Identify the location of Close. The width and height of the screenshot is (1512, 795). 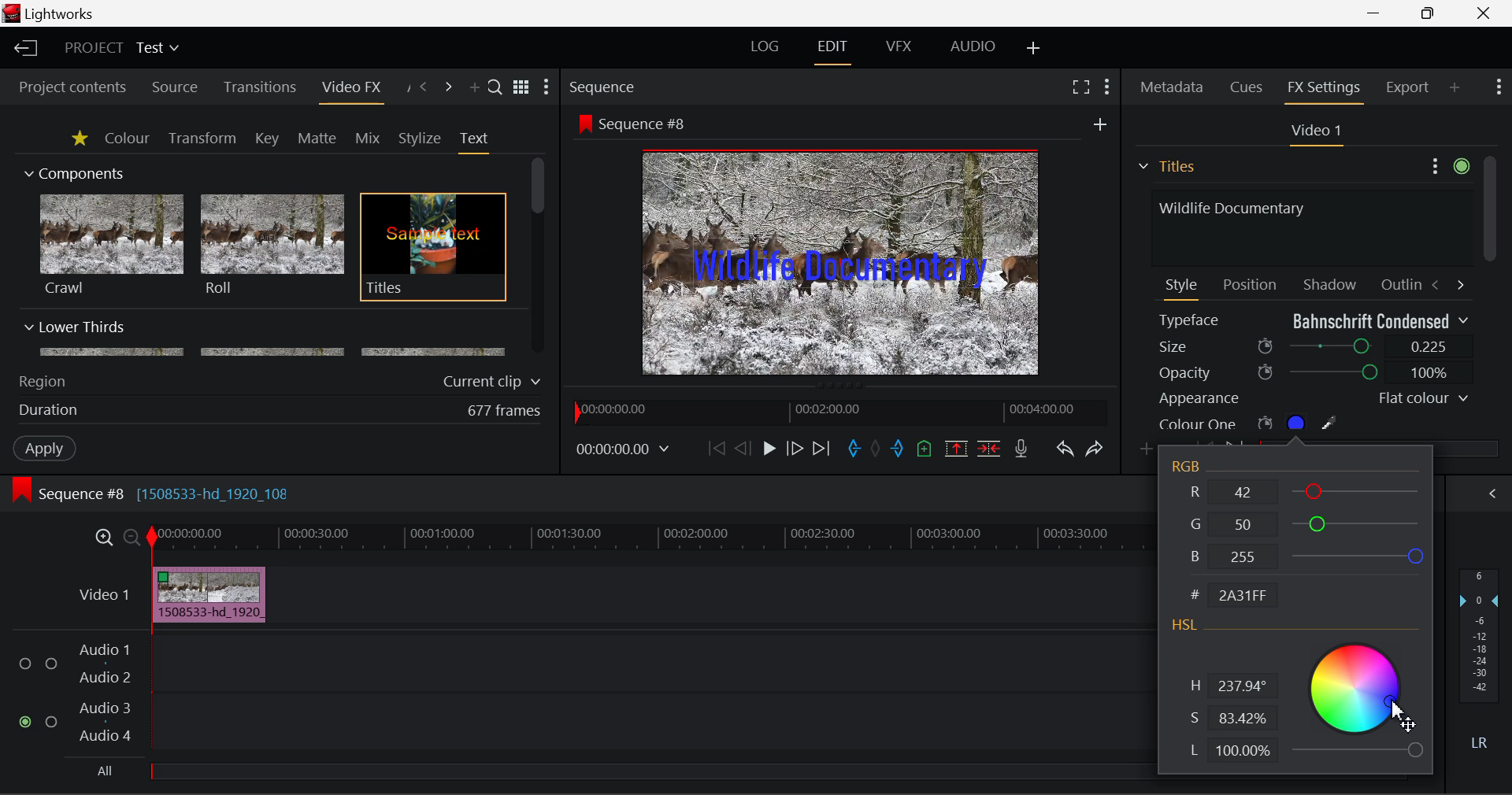
(1484, 12).